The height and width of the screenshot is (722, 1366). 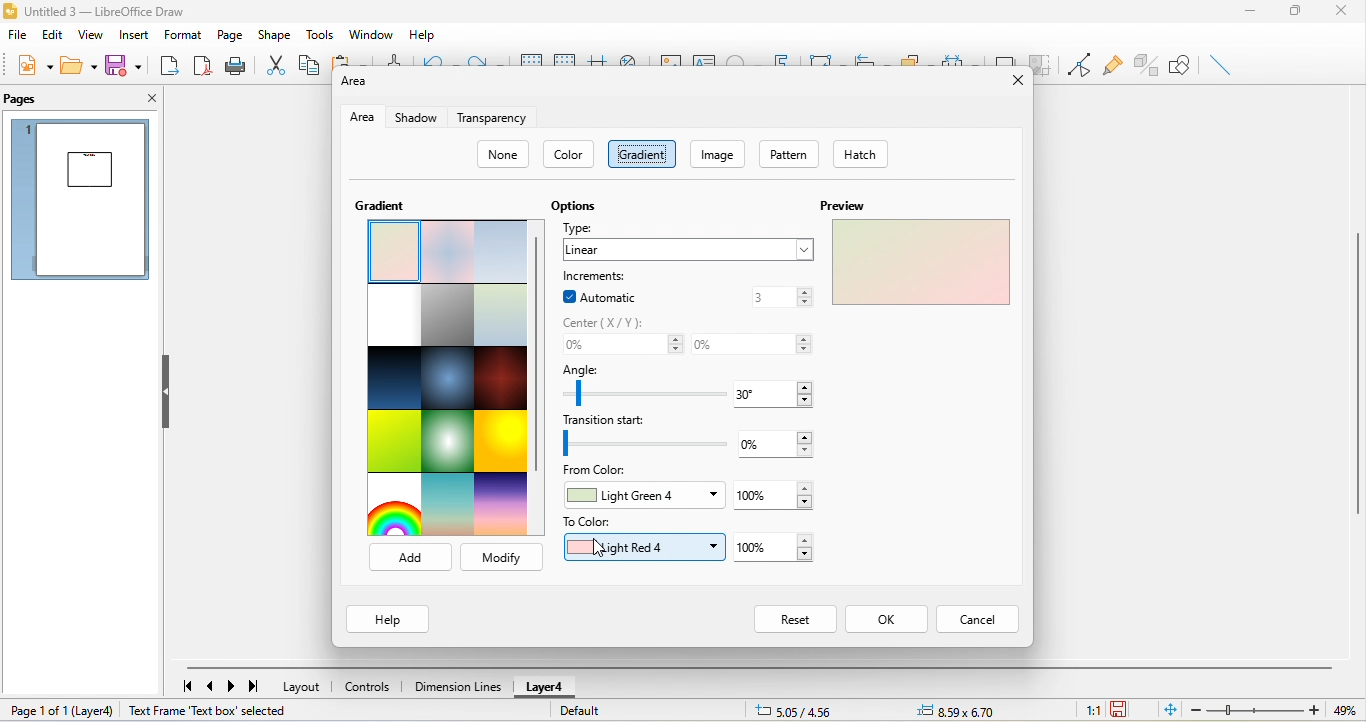 What do you see at coordinates (642, 394) in the screenshot?
I see `set angle` at bounding box center [642, 394].